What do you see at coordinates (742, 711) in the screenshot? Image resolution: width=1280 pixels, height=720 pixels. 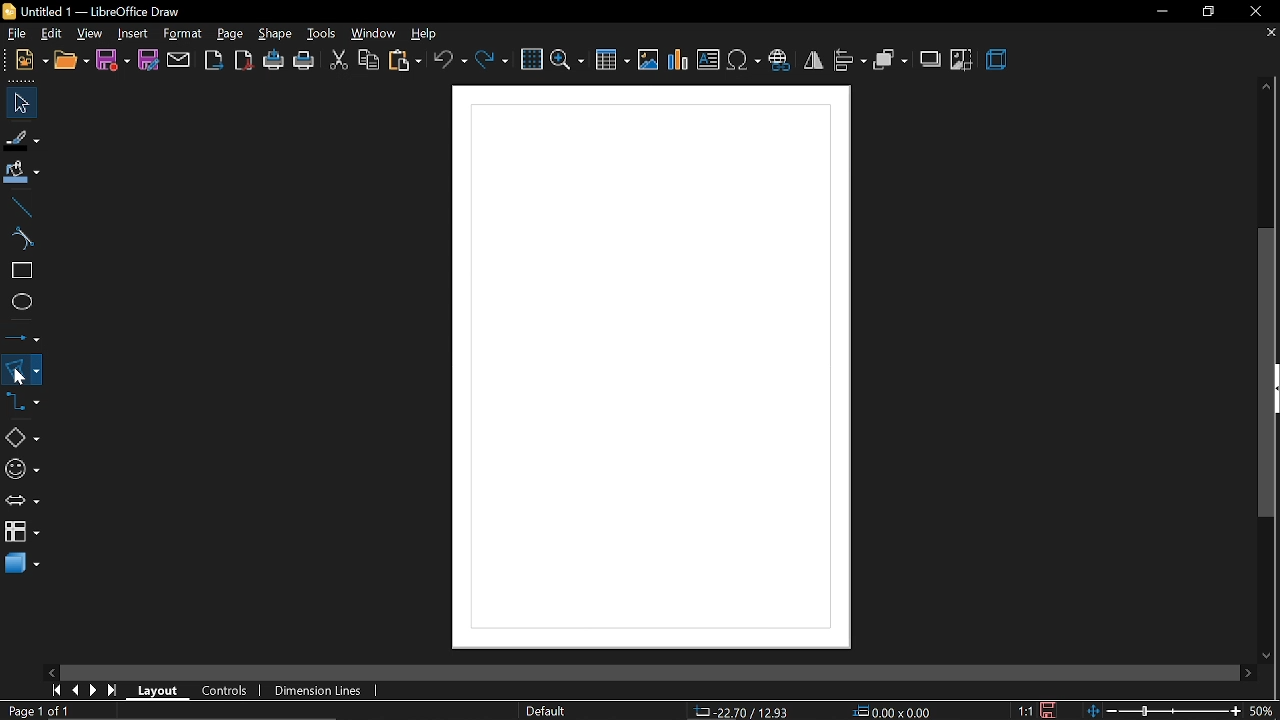 I see `co-ordinate 22.70/12.93` at bounding box center [742, 711].